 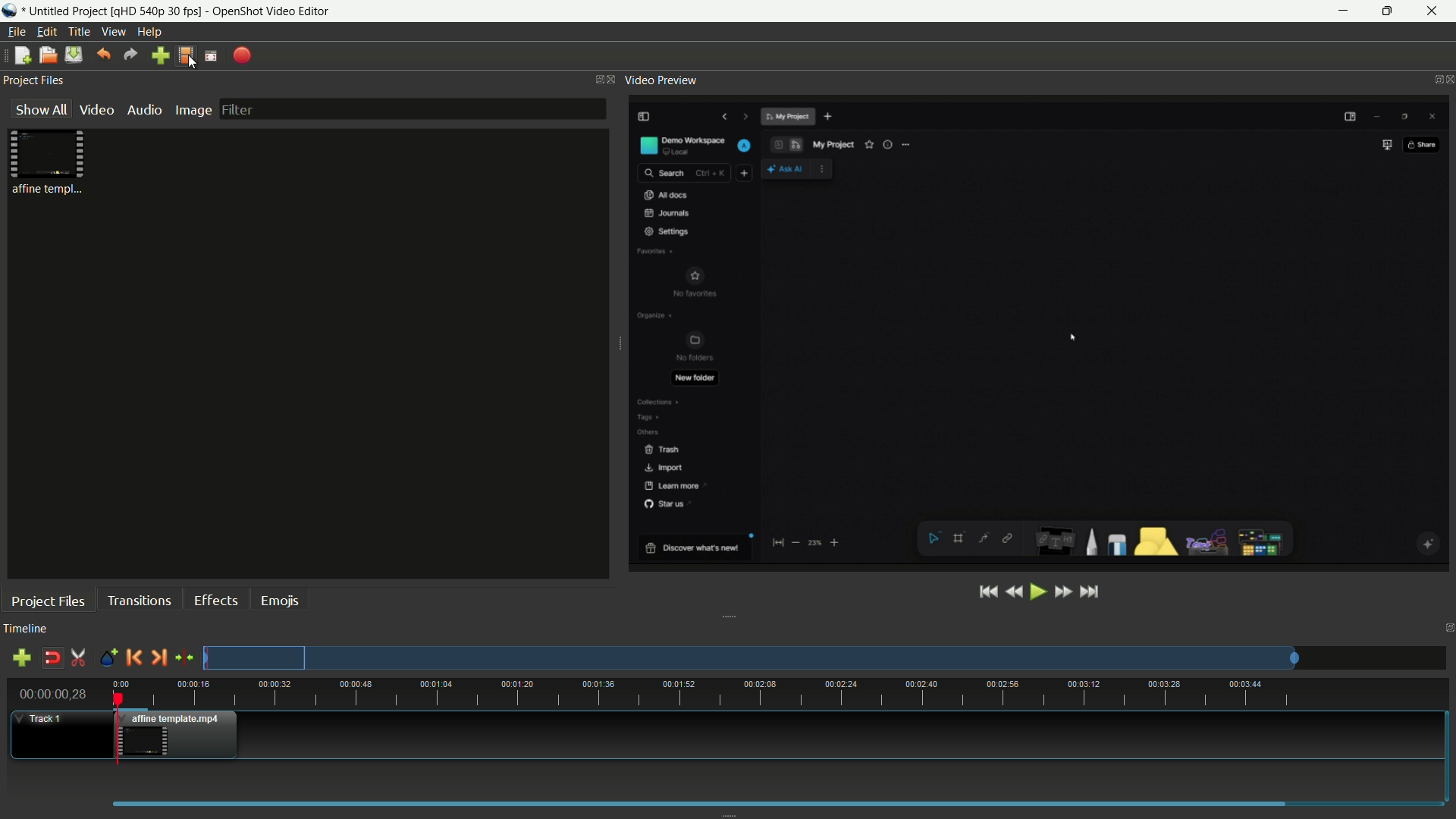 What do you see at coordinates (158, 658) in the screenshot?
I see `next marker` at bounding box center [158, 658].